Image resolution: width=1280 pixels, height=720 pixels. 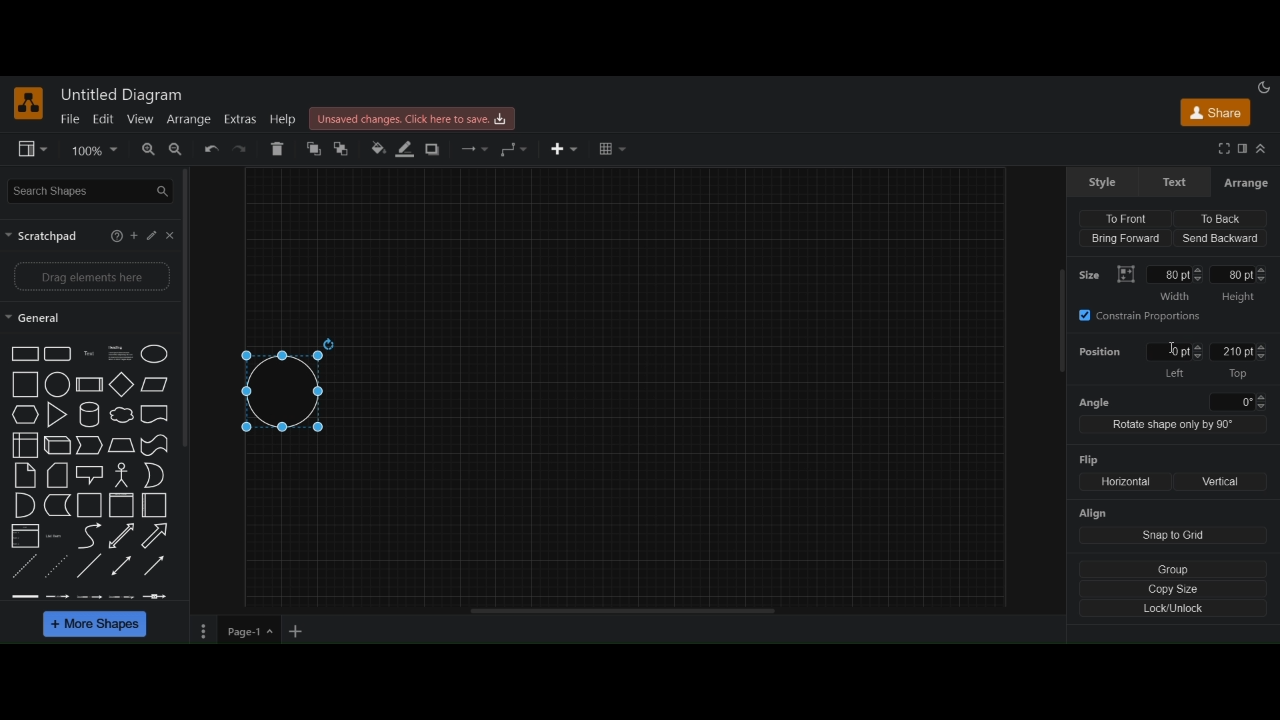 What do you see at coordinates (1264, 86) in the screenshot?
I see `appearance` at bounding box center [1264, 86].